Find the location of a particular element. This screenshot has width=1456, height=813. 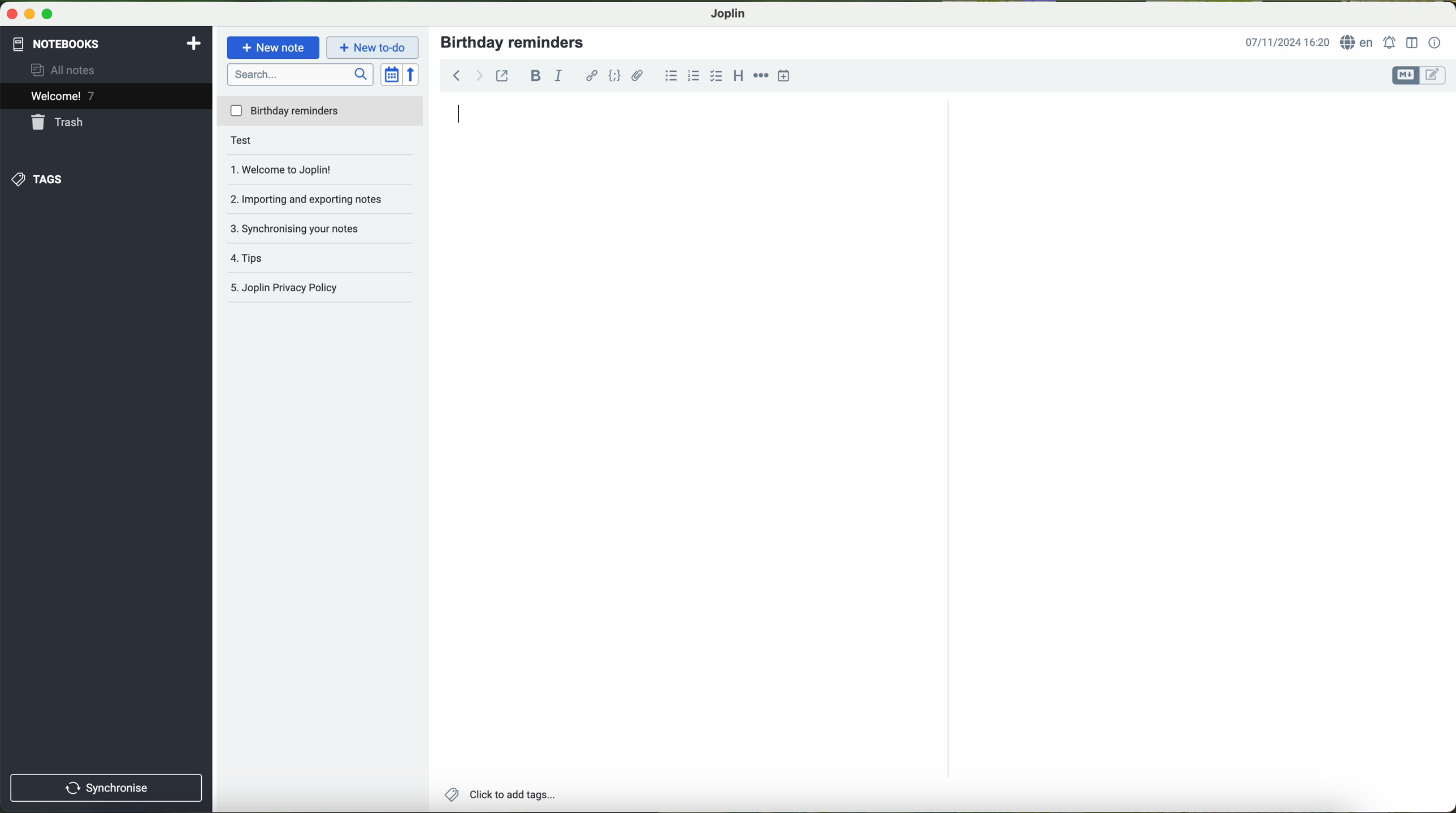

bold is located at coordinates (536, 75).